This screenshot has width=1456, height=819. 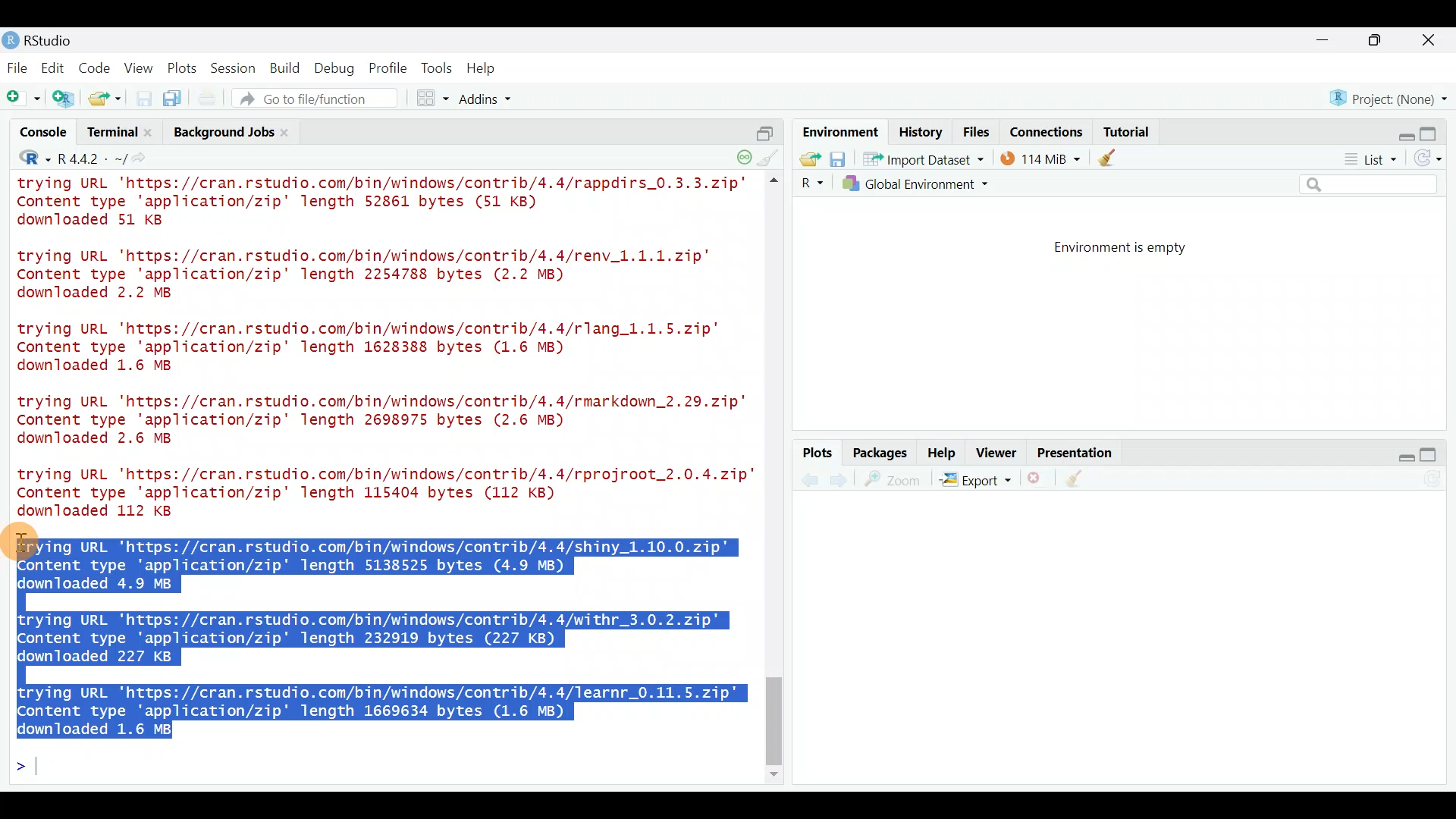 What do you see at coordinates (382, 350) in the screenshot?
I see `trying URL 'https://cran.rstudio.com/bin/windows/contrib/4.4/rlang_1.1.5.zip"
Content type 'application/zip' length 1628388 bytes (1.6 MB)
downloaded 1.6 MB` at bounding box center [382, 350].